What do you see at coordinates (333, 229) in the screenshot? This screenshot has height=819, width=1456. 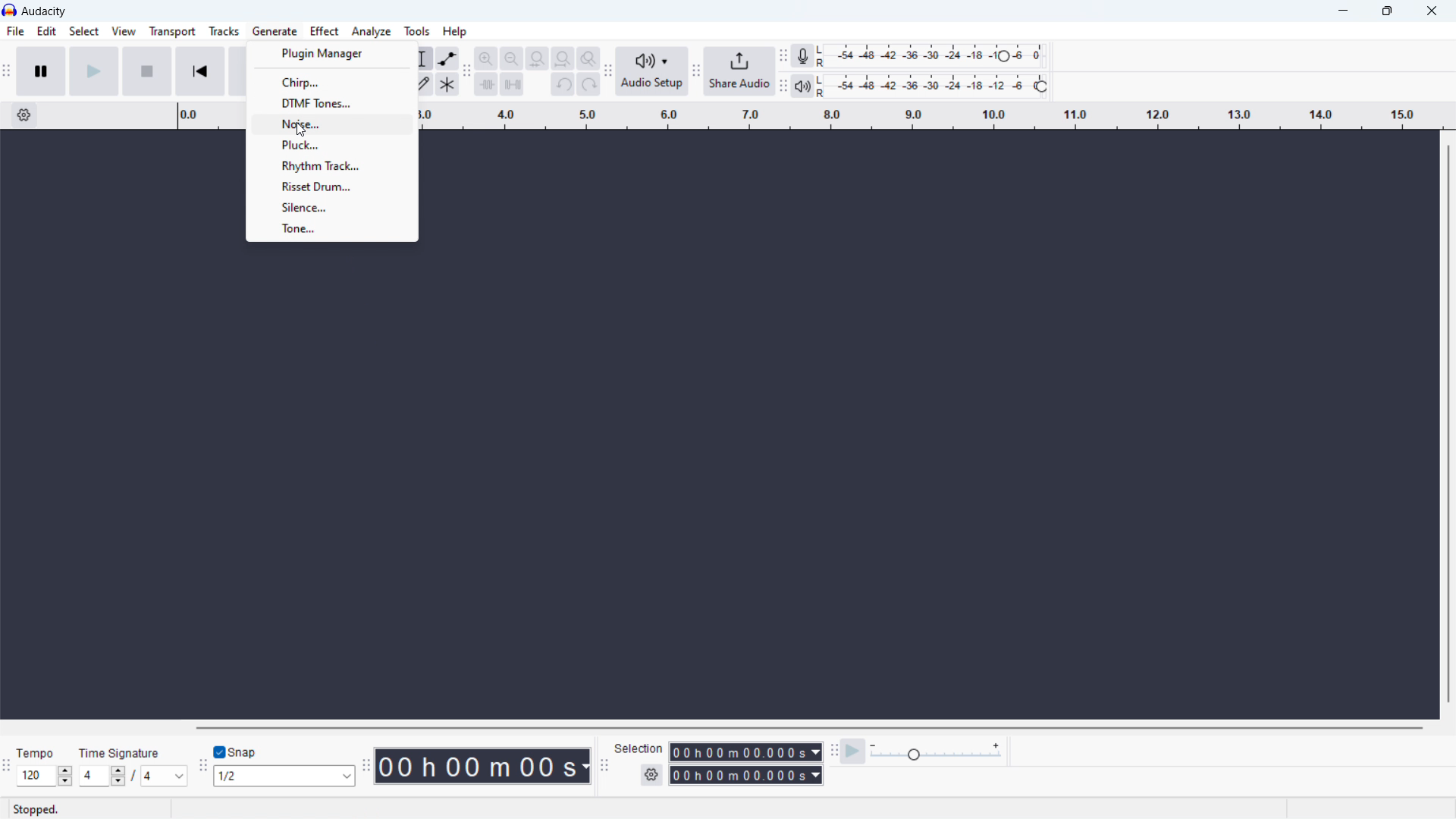 I see `tone` at bounding box center [333, 229].